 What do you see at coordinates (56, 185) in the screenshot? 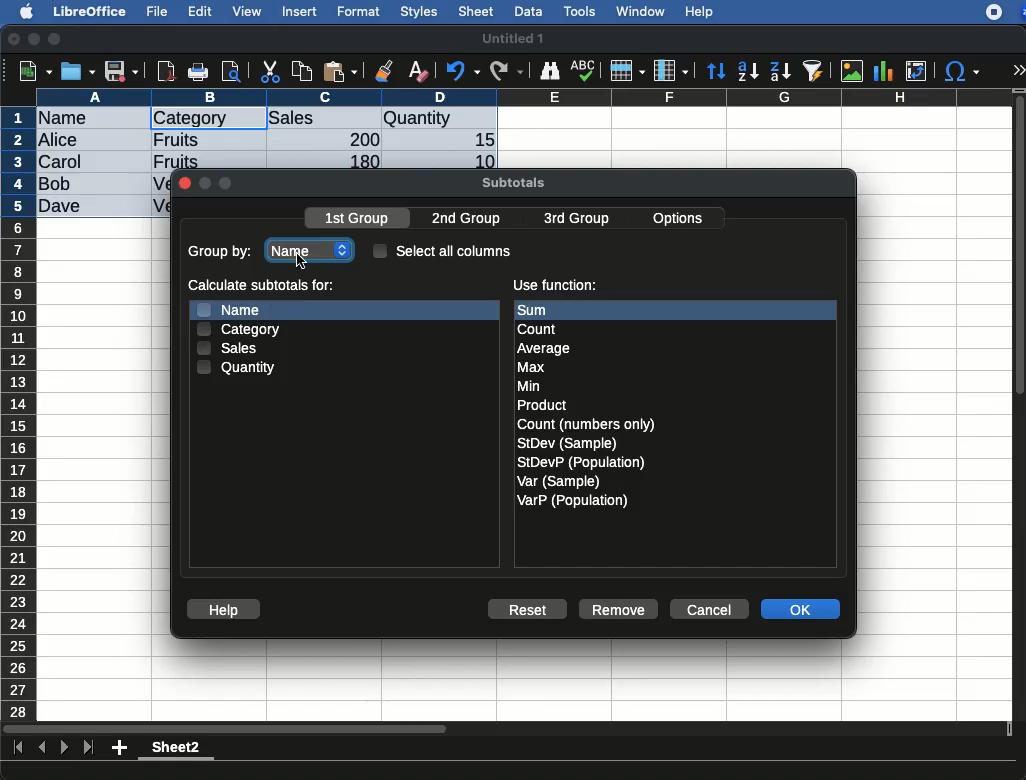
I see `Bob` at bounding box center [56, 185].